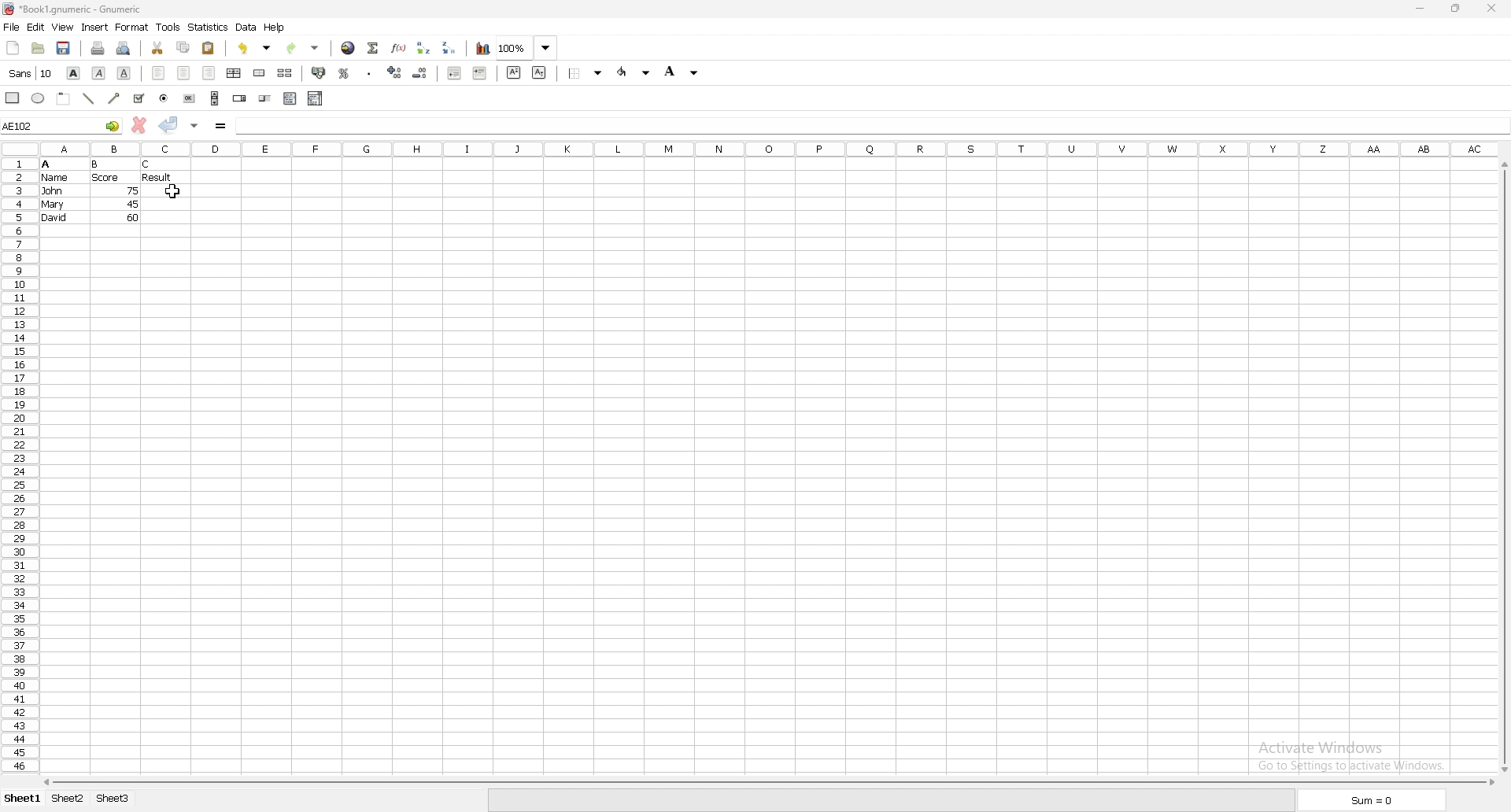 This screenshot has height=812, width=1511. I want to click on formula, so click(222, 127).